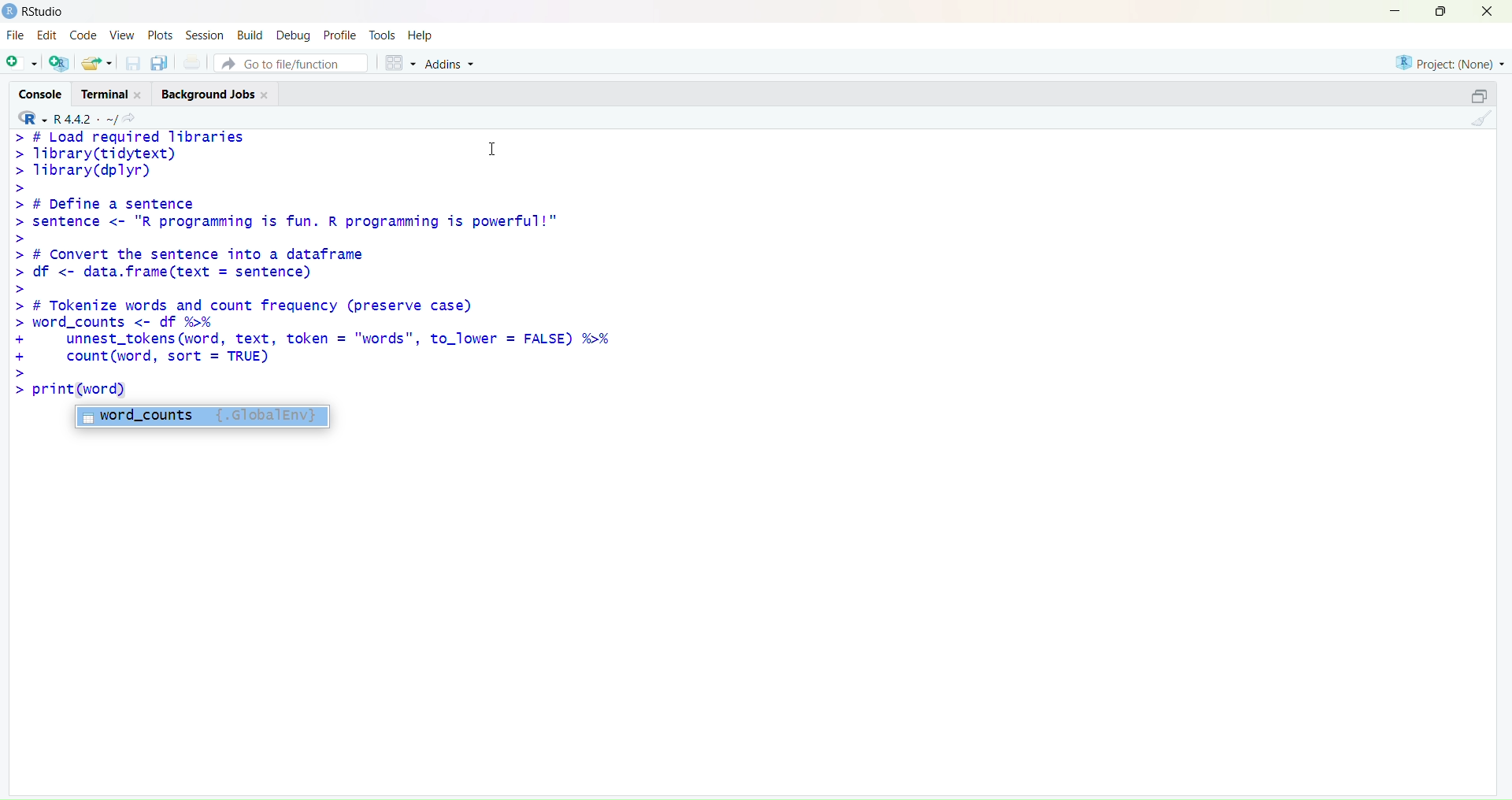 The width and height of the screenshot is (1512, 800). I want to click on addins, so click(450, 65).